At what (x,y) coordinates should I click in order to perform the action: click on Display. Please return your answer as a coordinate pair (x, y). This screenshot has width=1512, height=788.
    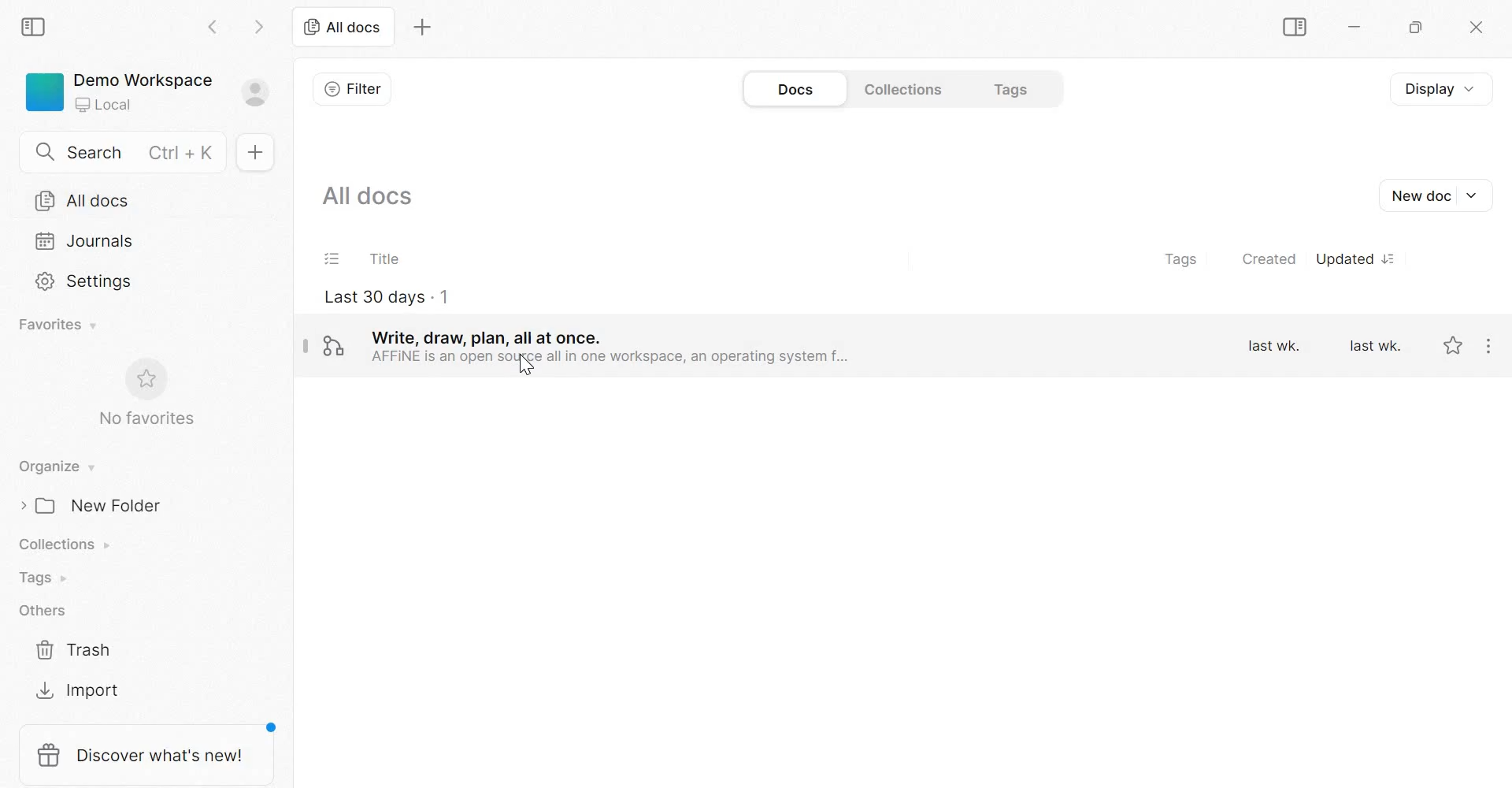
    Looking at the image, I should click on (1439, 90).